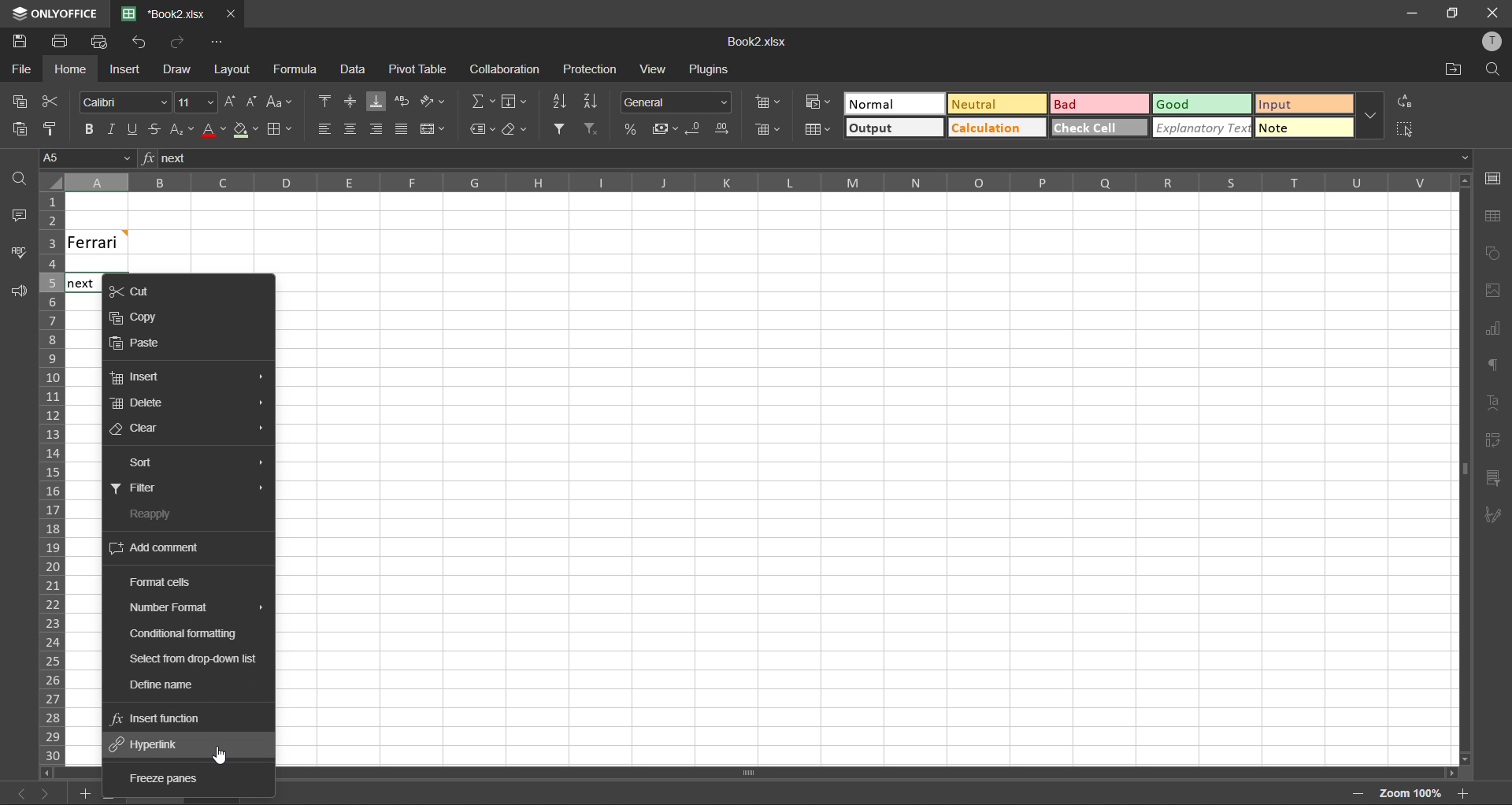 This screenshot has width=1512, height=805. What do you see at coordinates (351, 127) in the screenshot?
I see `align center` at bounding box center [351, 127].